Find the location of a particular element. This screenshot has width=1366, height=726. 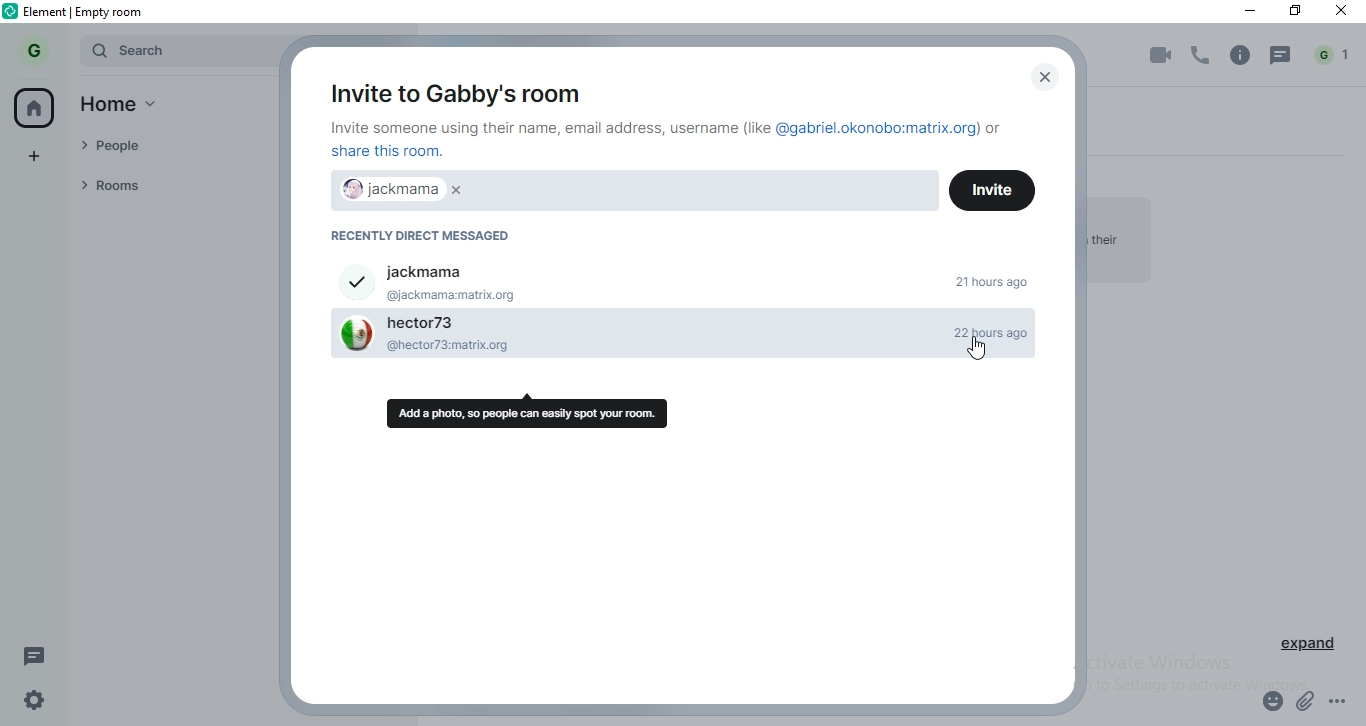

expand is located at coordinates (1310, 647).